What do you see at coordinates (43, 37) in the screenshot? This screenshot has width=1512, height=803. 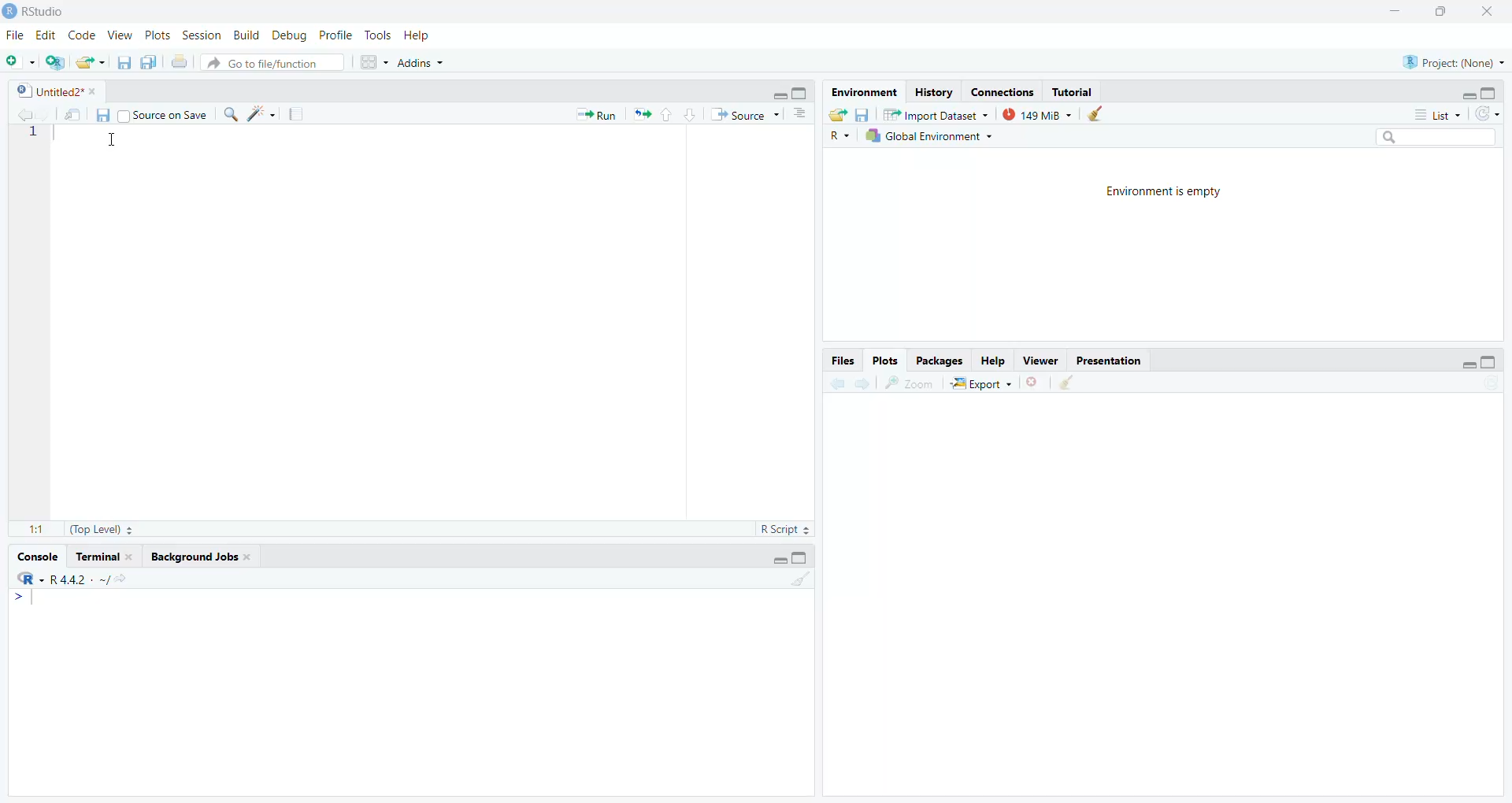 I see `Edit` at bounding box center [43, 37].